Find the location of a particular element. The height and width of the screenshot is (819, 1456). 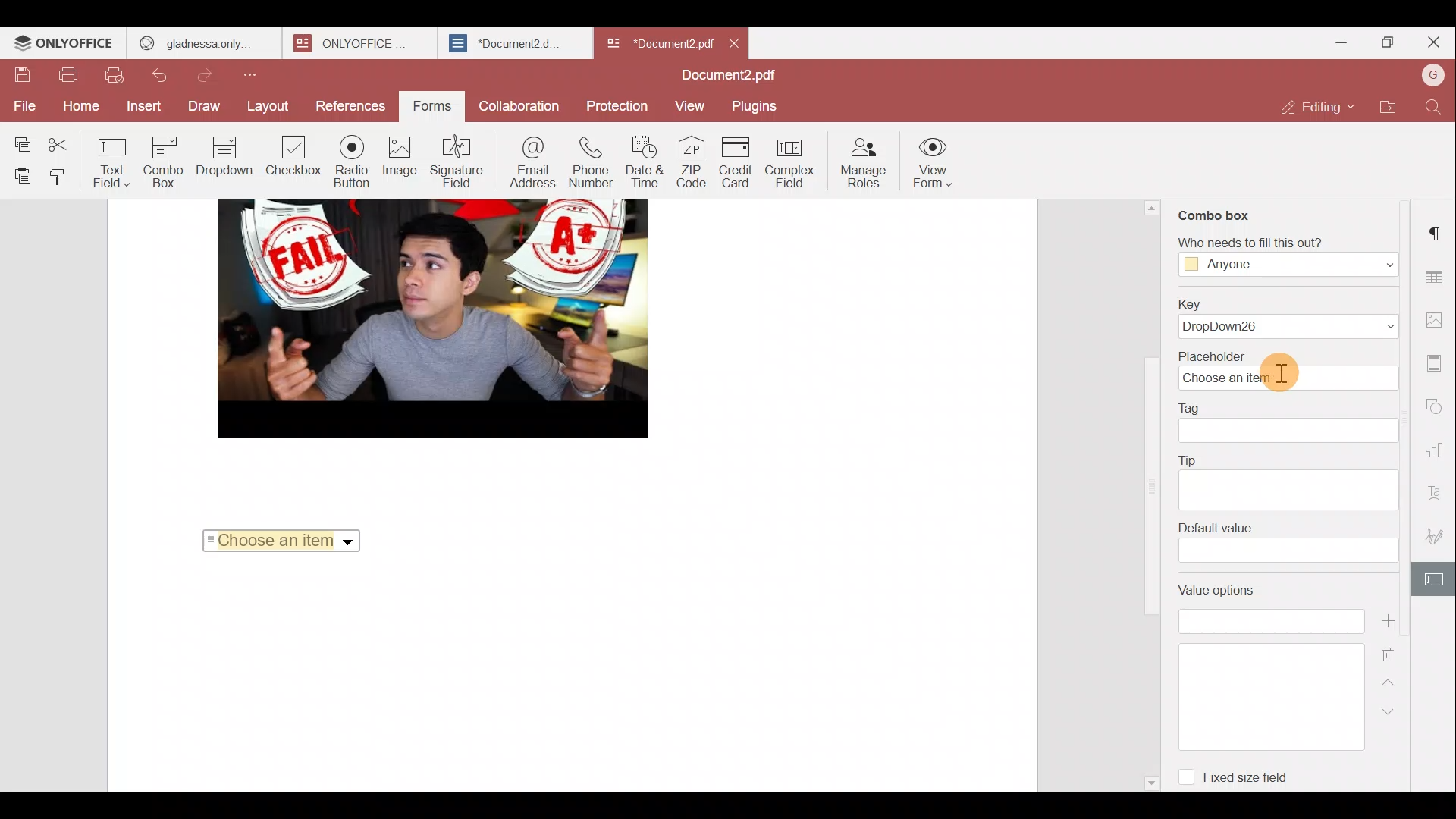

Image is located at coordinates (400, 159).